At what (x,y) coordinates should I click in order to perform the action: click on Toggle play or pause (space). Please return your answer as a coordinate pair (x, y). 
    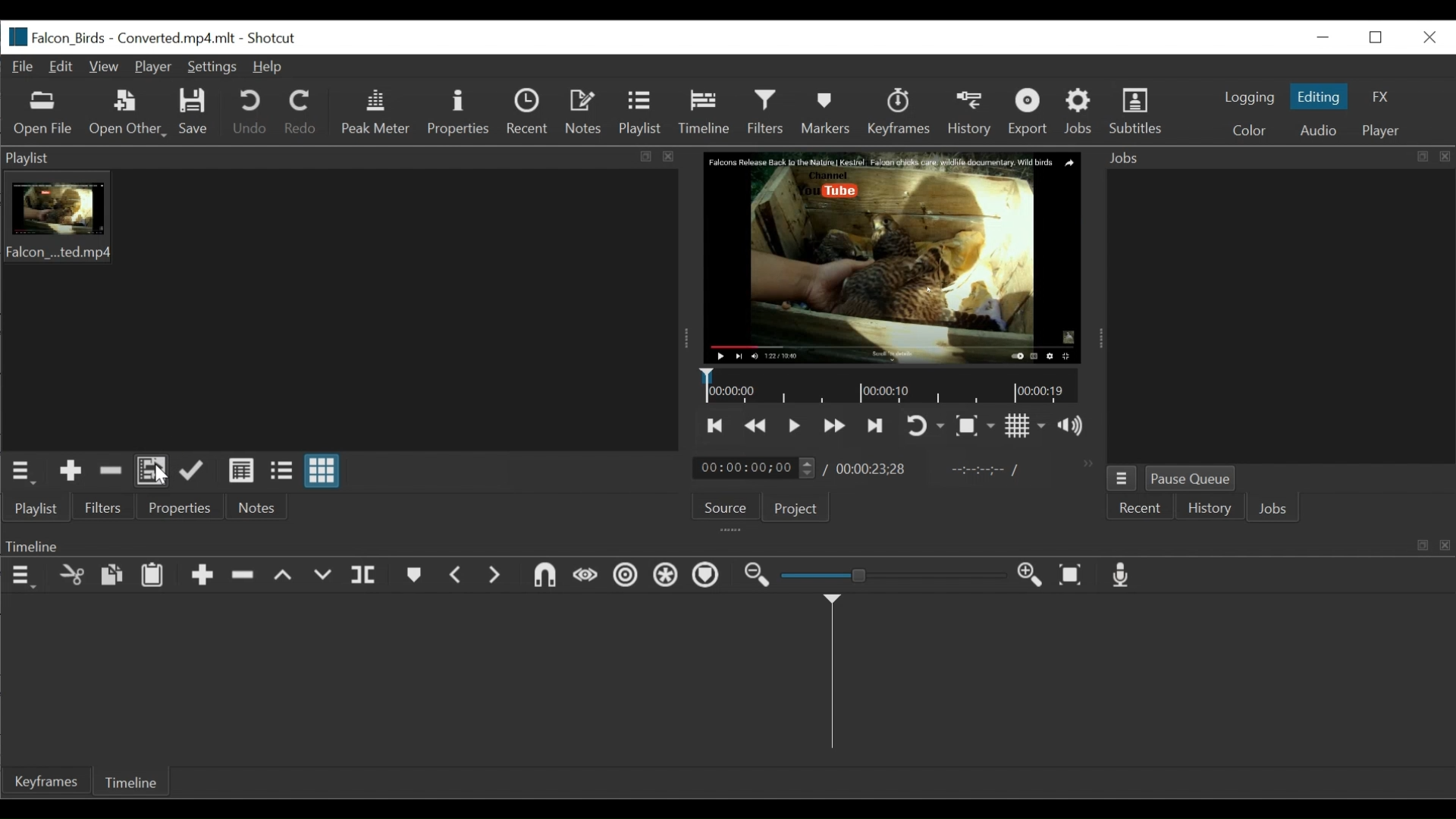
    Looking at the image, I should click on (795, 426).